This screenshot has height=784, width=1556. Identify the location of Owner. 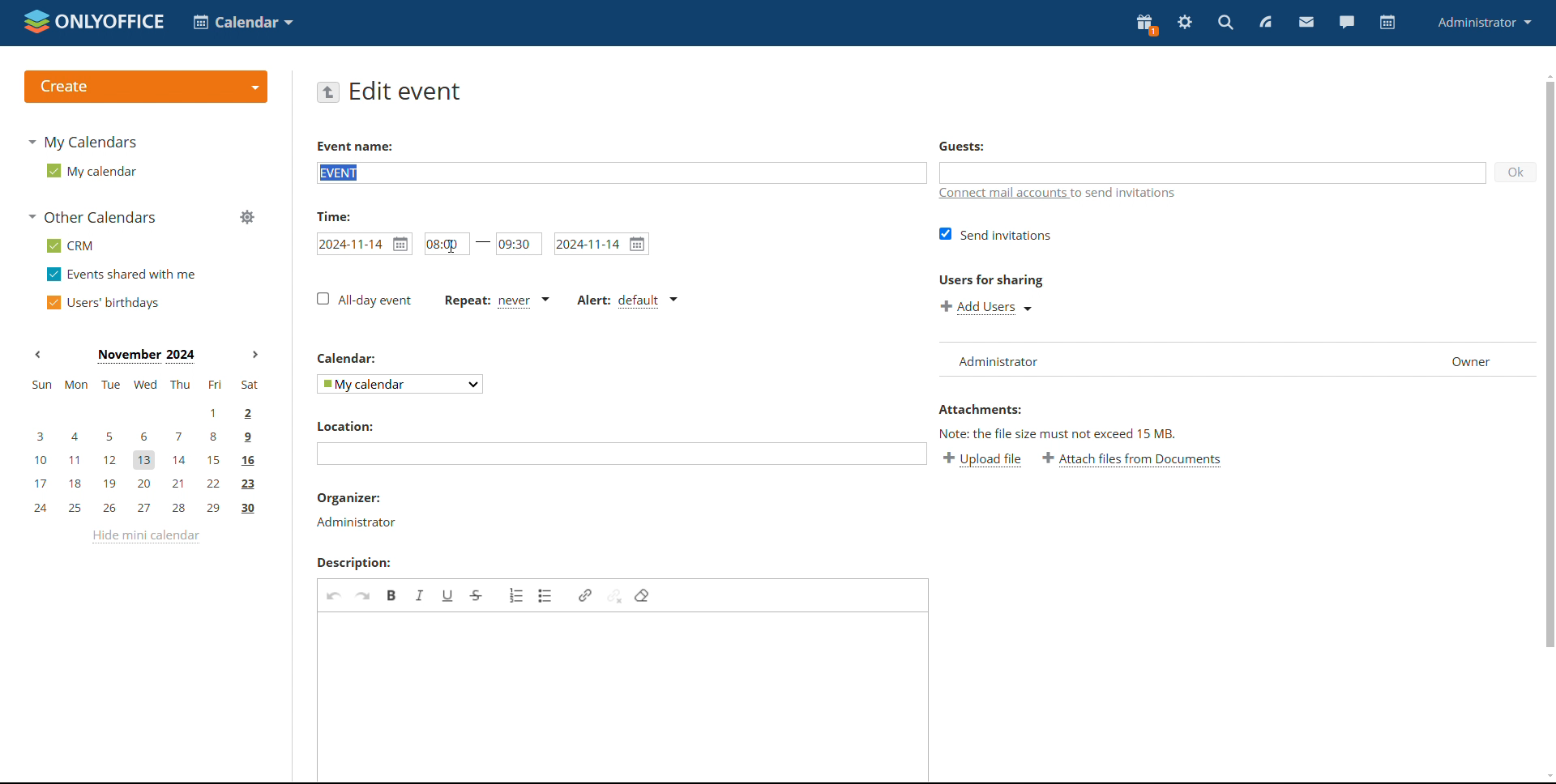
(1477, 360).